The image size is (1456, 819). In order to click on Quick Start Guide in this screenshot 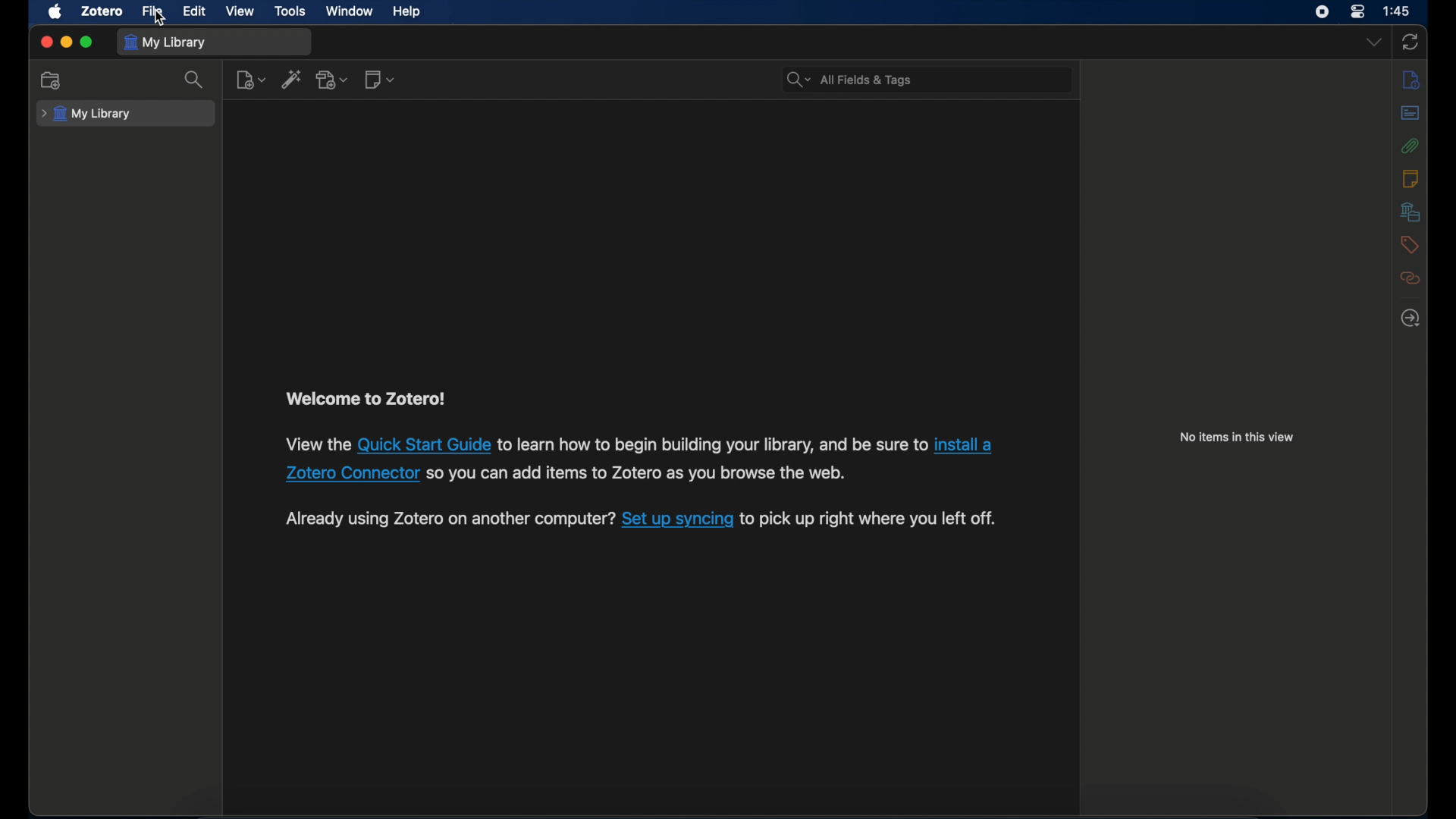, I will do `click(425, 443)`.